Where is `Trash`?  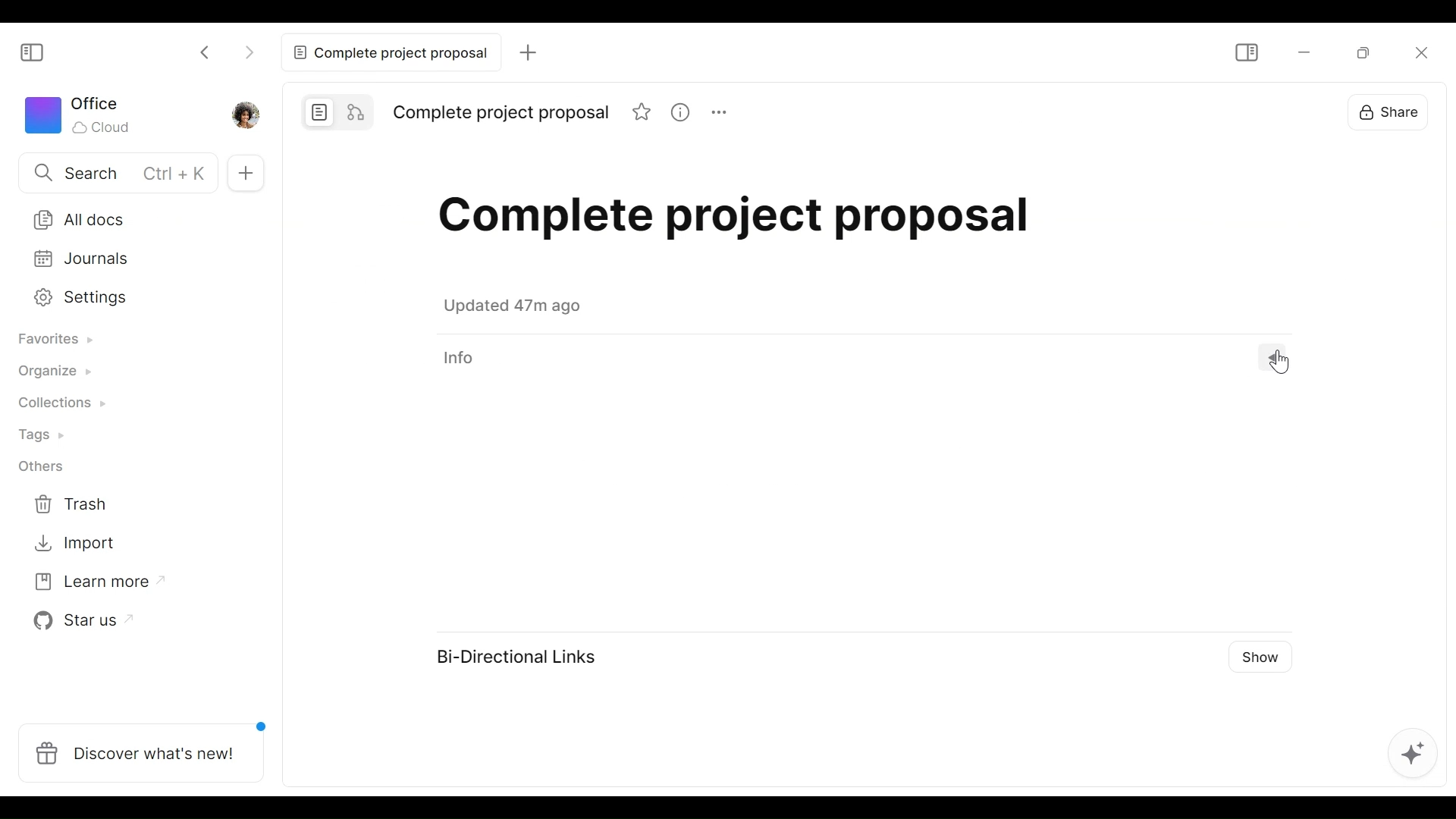
Trash is located at coordinates (80, 504).